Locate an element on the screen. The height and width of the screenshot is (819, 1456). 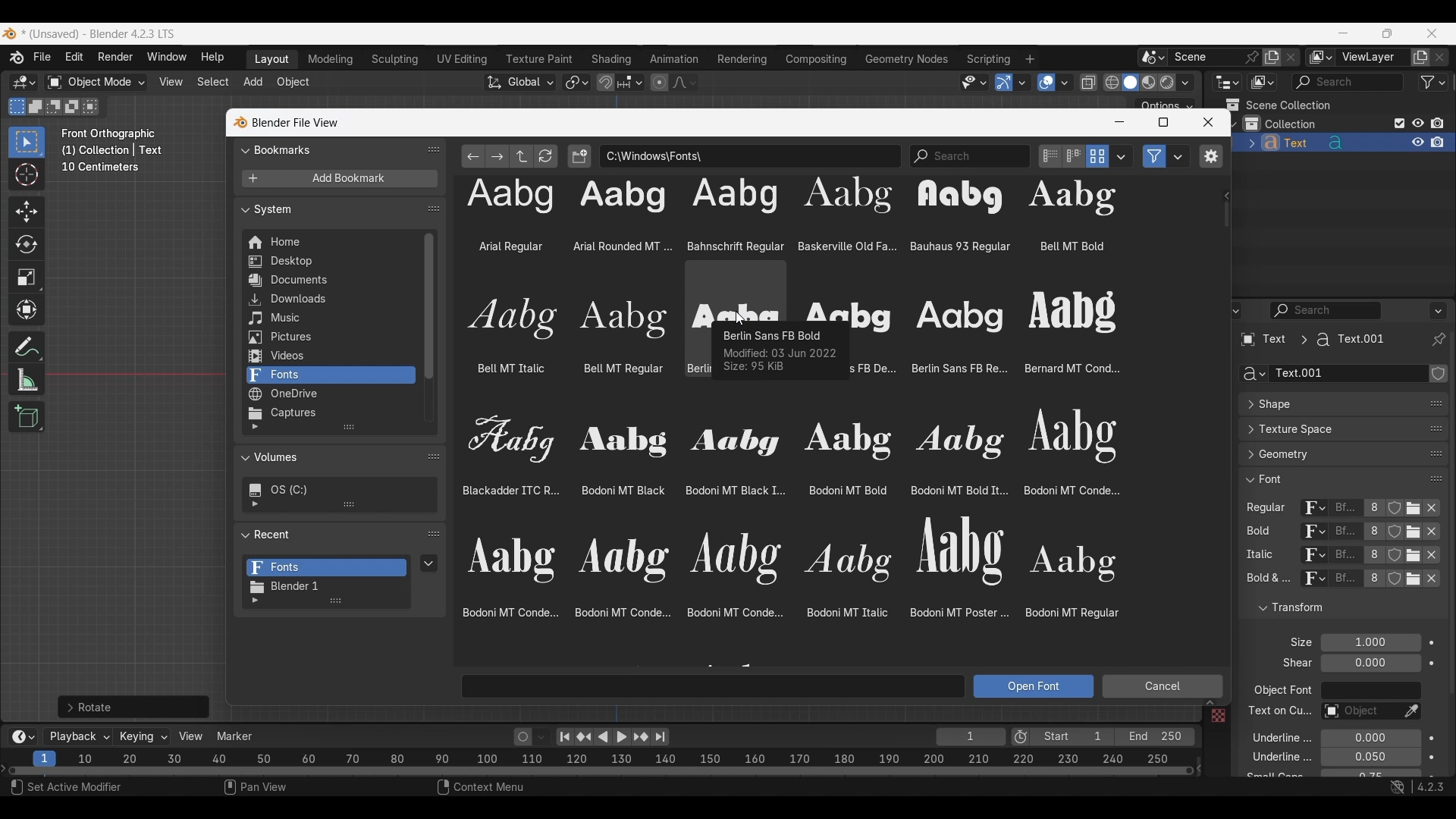
Display filter is located at coordinates (1326, 310).